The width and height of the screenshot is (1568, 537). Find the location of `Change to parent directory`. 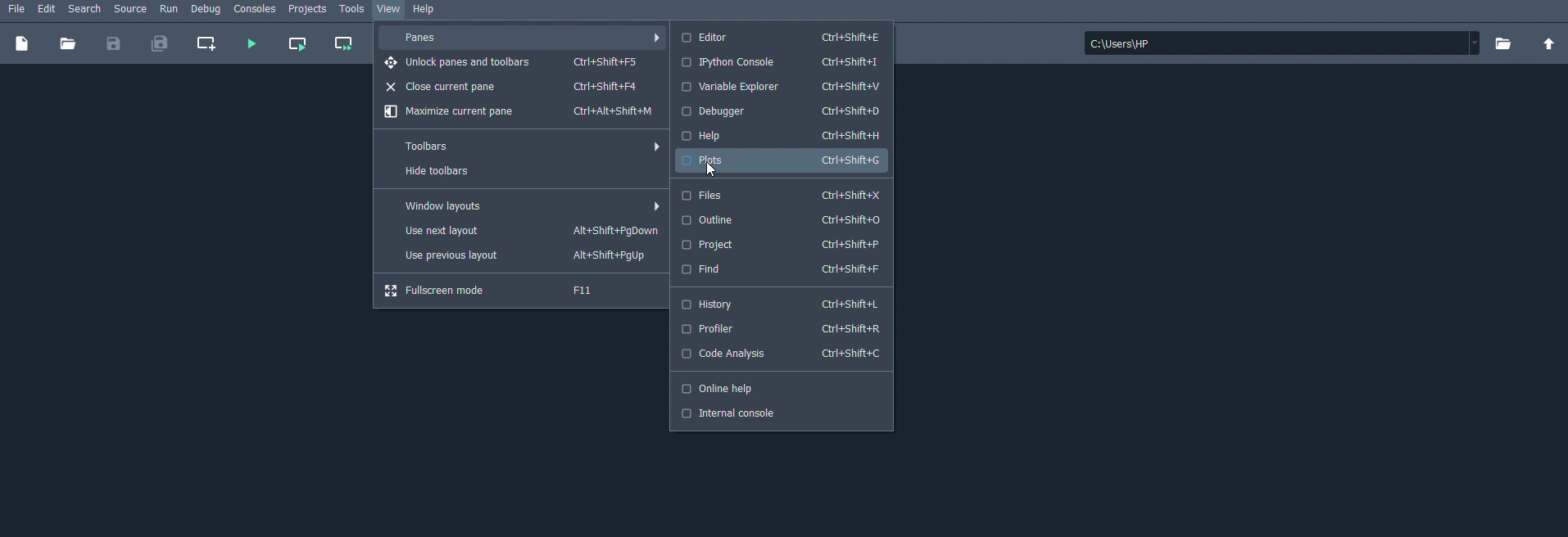

Change to parent directory is located at coordinates (1551, 43).